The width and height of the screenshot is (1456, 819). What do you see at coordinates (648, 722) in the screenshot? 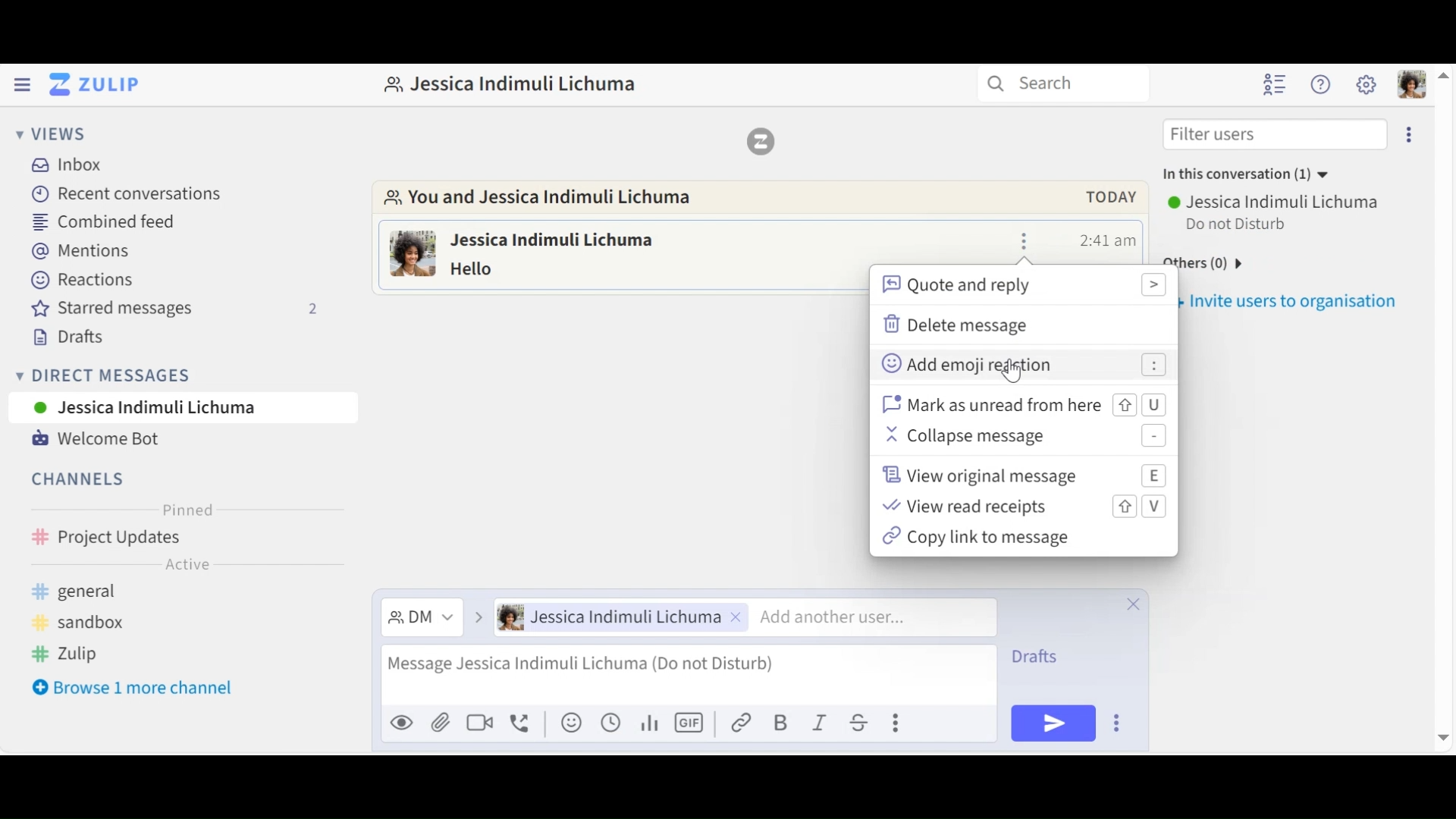
I see `Add Polls` at bounding box center [648, 722].